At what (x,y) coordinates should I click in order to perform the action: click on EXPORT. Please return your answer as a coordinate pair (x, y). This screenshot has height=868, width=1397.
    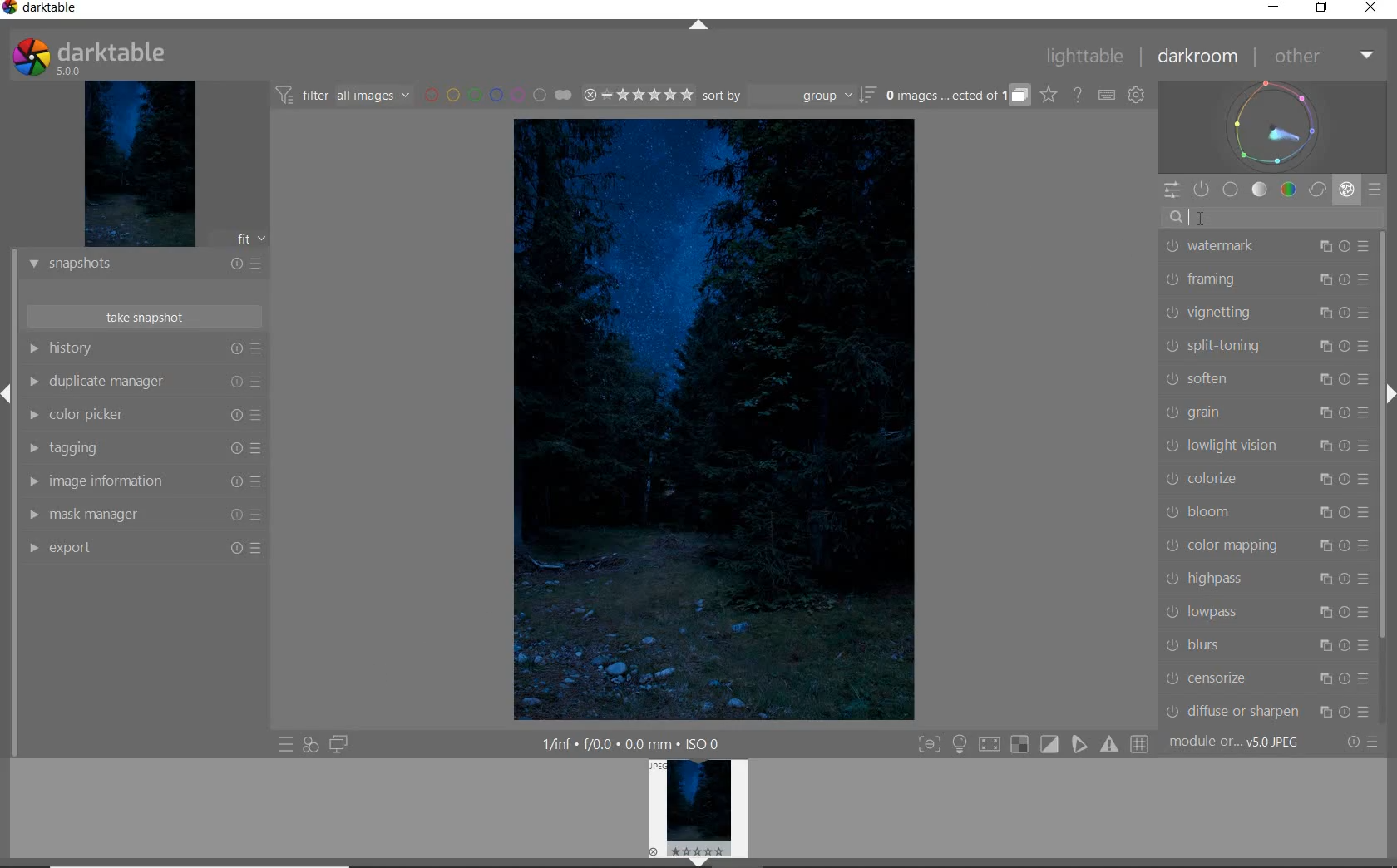
    Looking at the image, I should click on (144, 550).